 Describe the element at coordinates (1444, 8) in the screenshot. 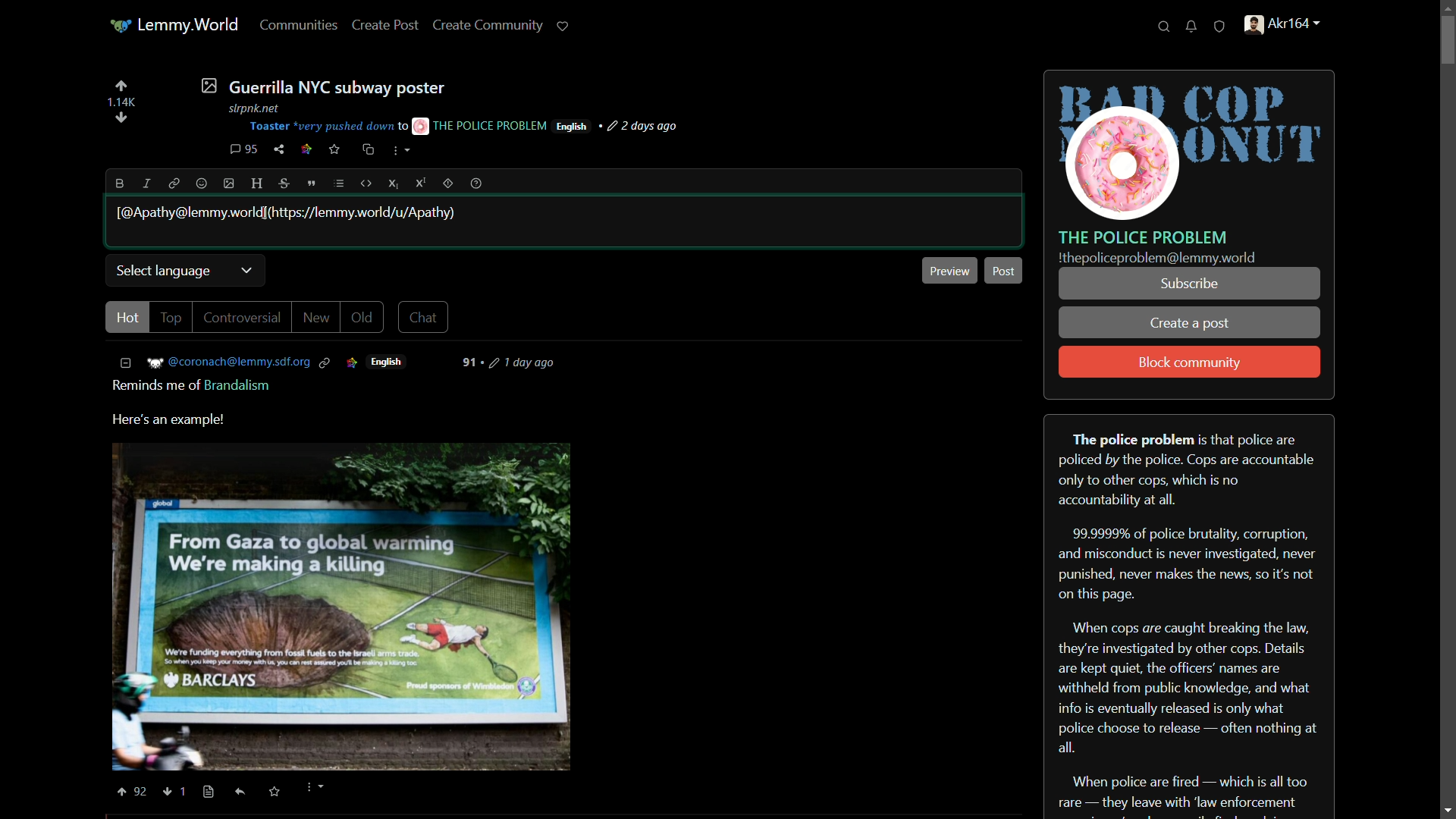

I see `scroll up` at that location.